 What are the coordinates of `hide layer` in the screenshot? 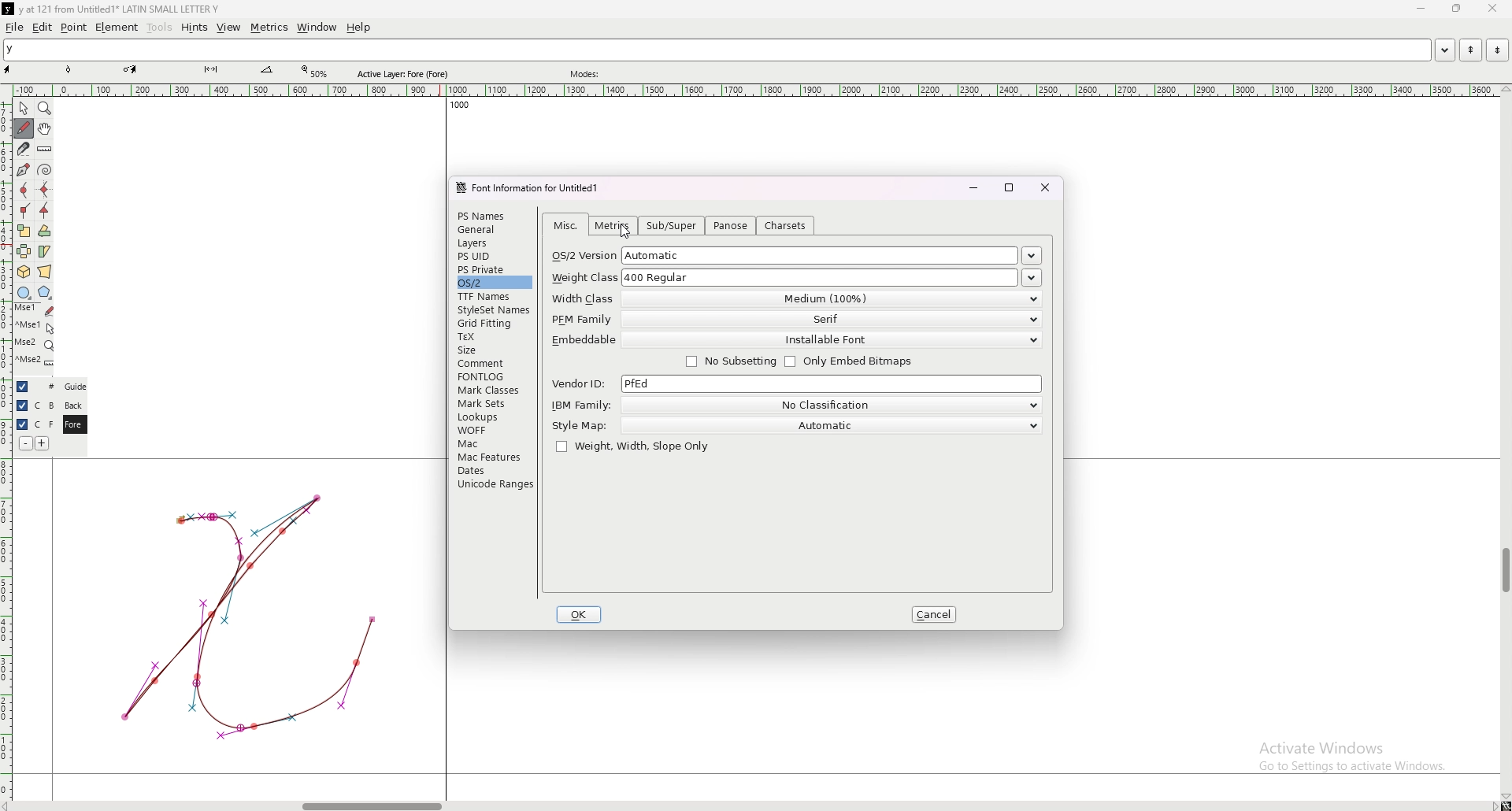 It's located at (22, 405).